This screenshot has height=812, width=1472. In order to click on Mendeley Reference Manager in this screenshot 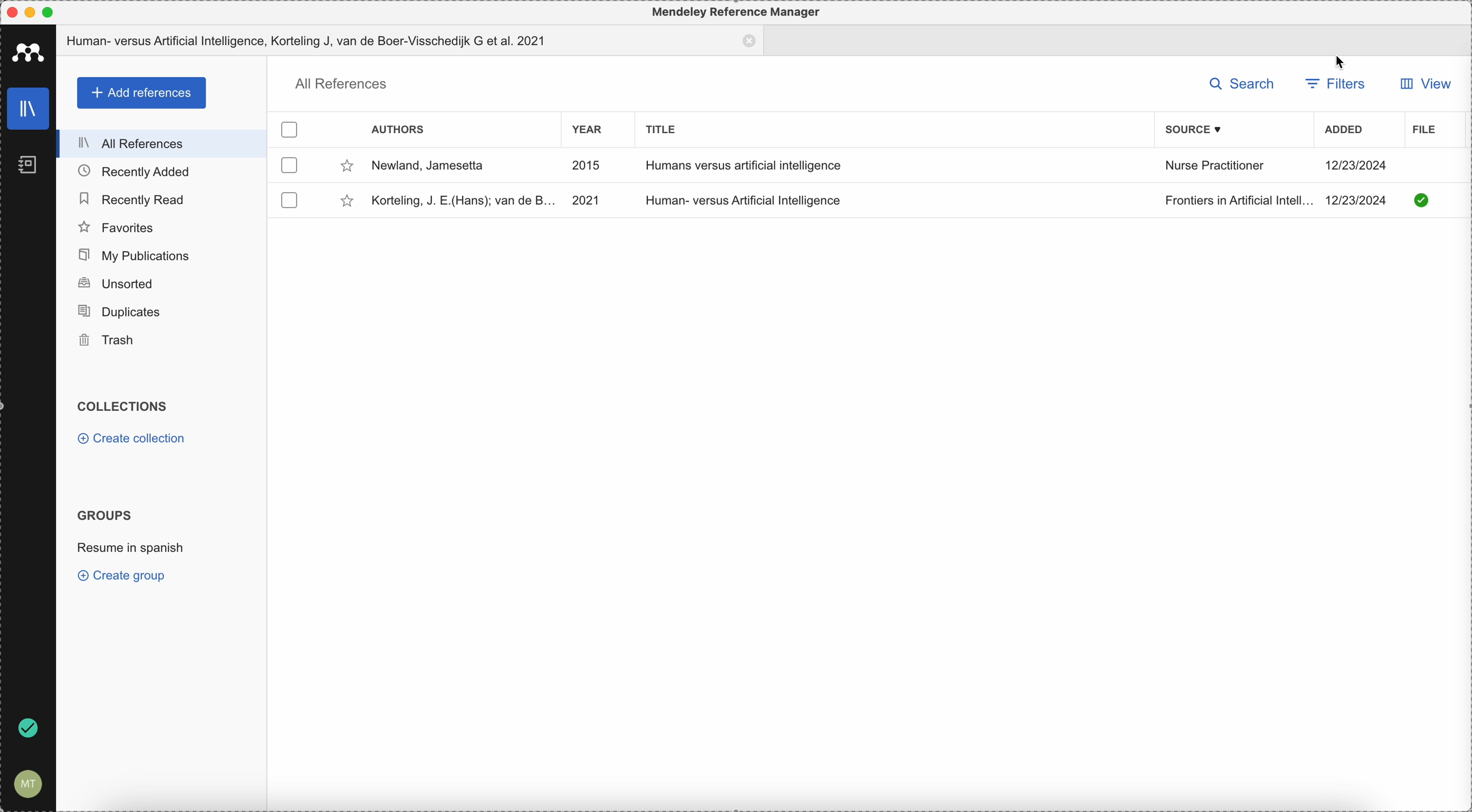, I will do `click(734, 10)`.